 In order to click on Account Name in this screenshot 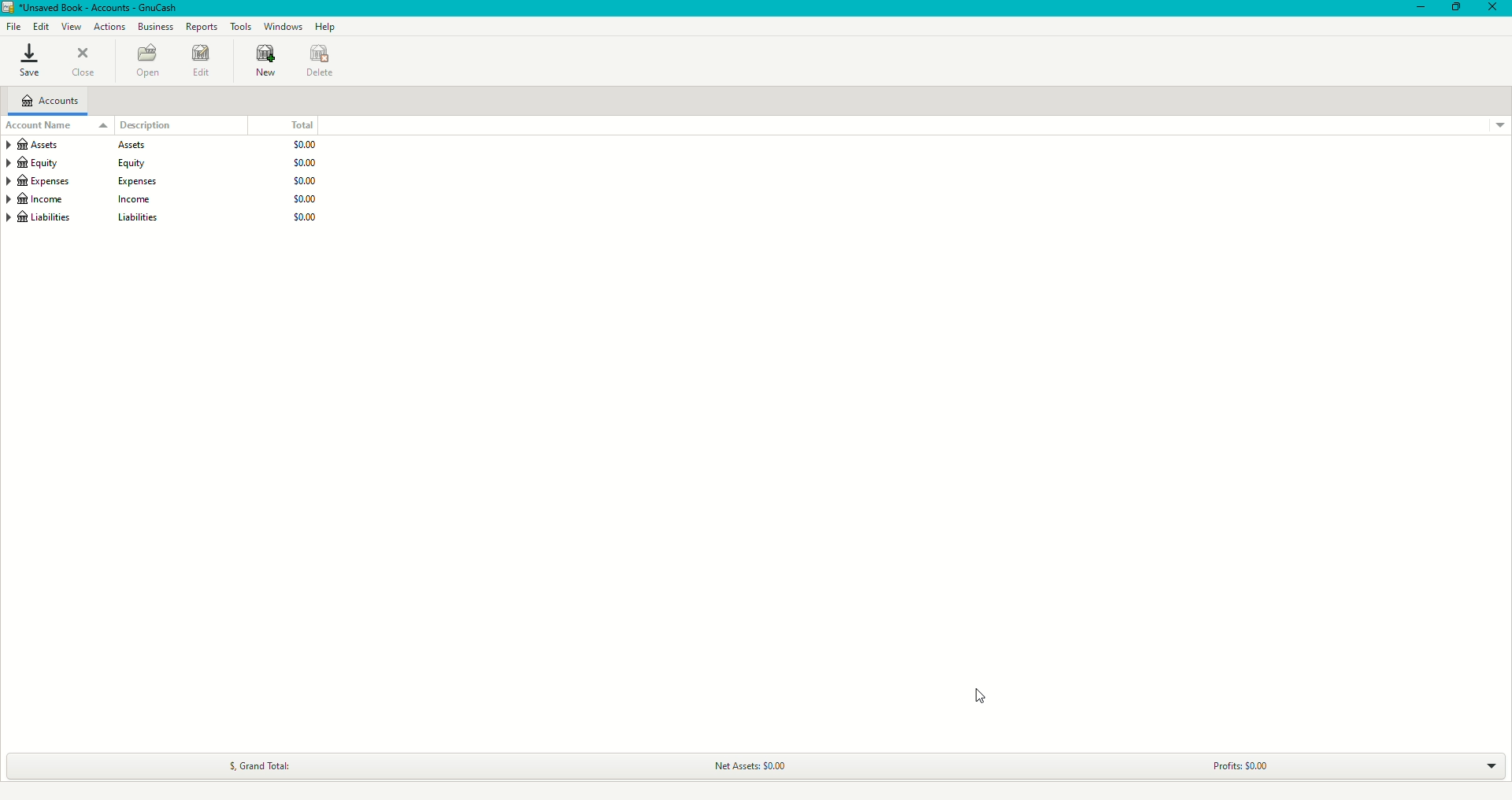, I will do `click(39, 126)`.